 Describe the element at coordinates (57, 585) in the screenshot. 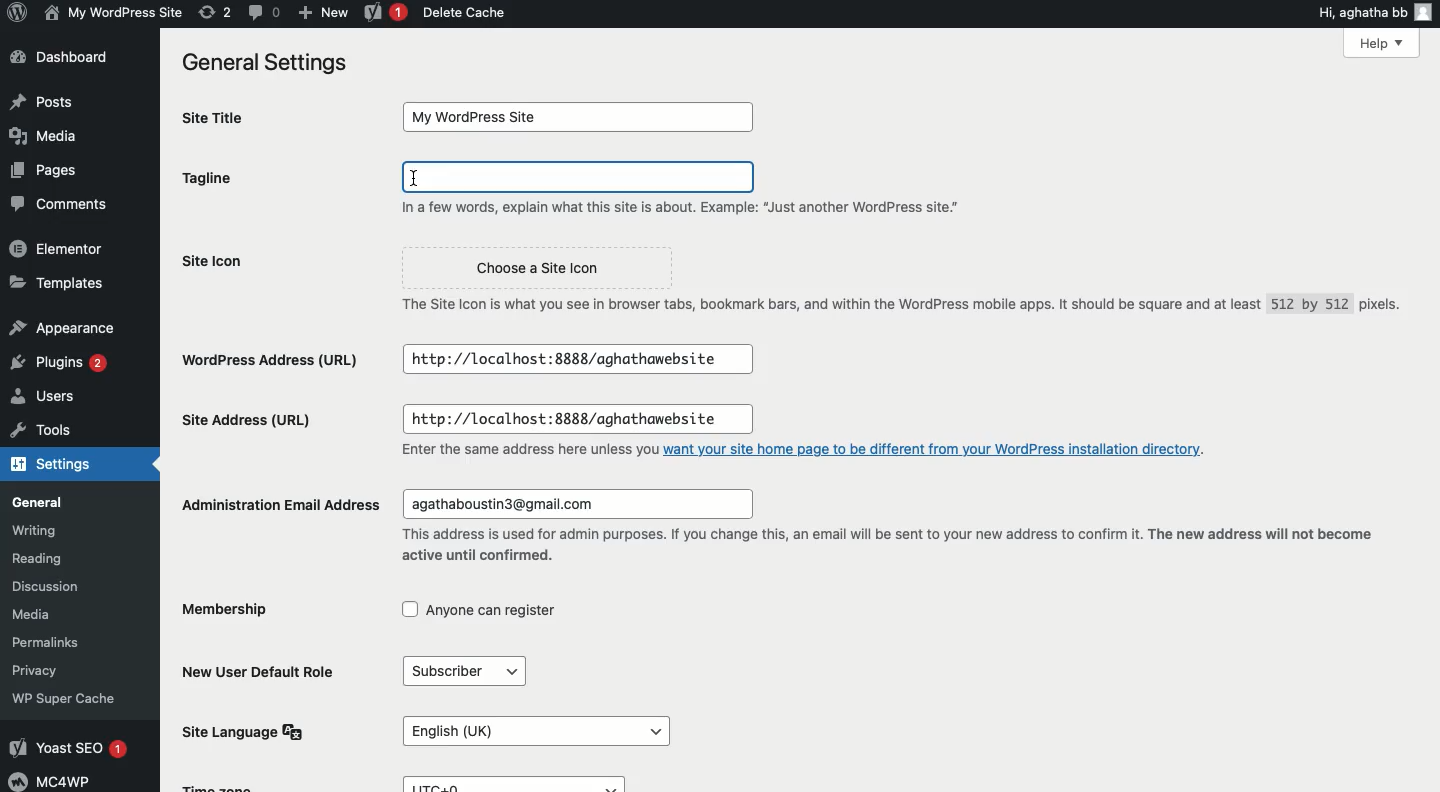

I see `Discussion` at that location.